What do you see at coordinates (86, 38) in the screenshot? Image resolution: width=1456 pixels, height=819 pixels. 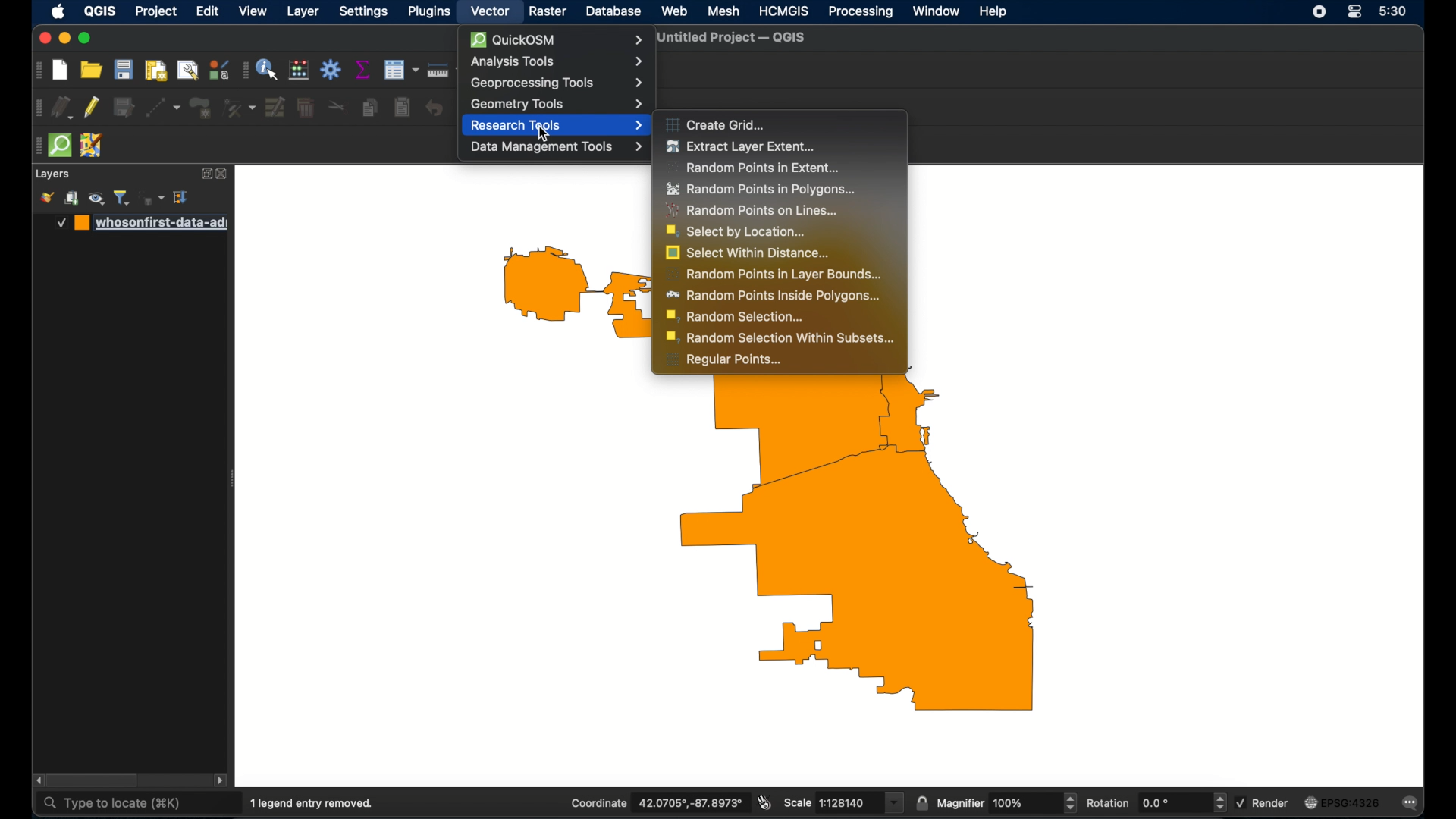 I see `maximize` at bounding box center [86, 38].